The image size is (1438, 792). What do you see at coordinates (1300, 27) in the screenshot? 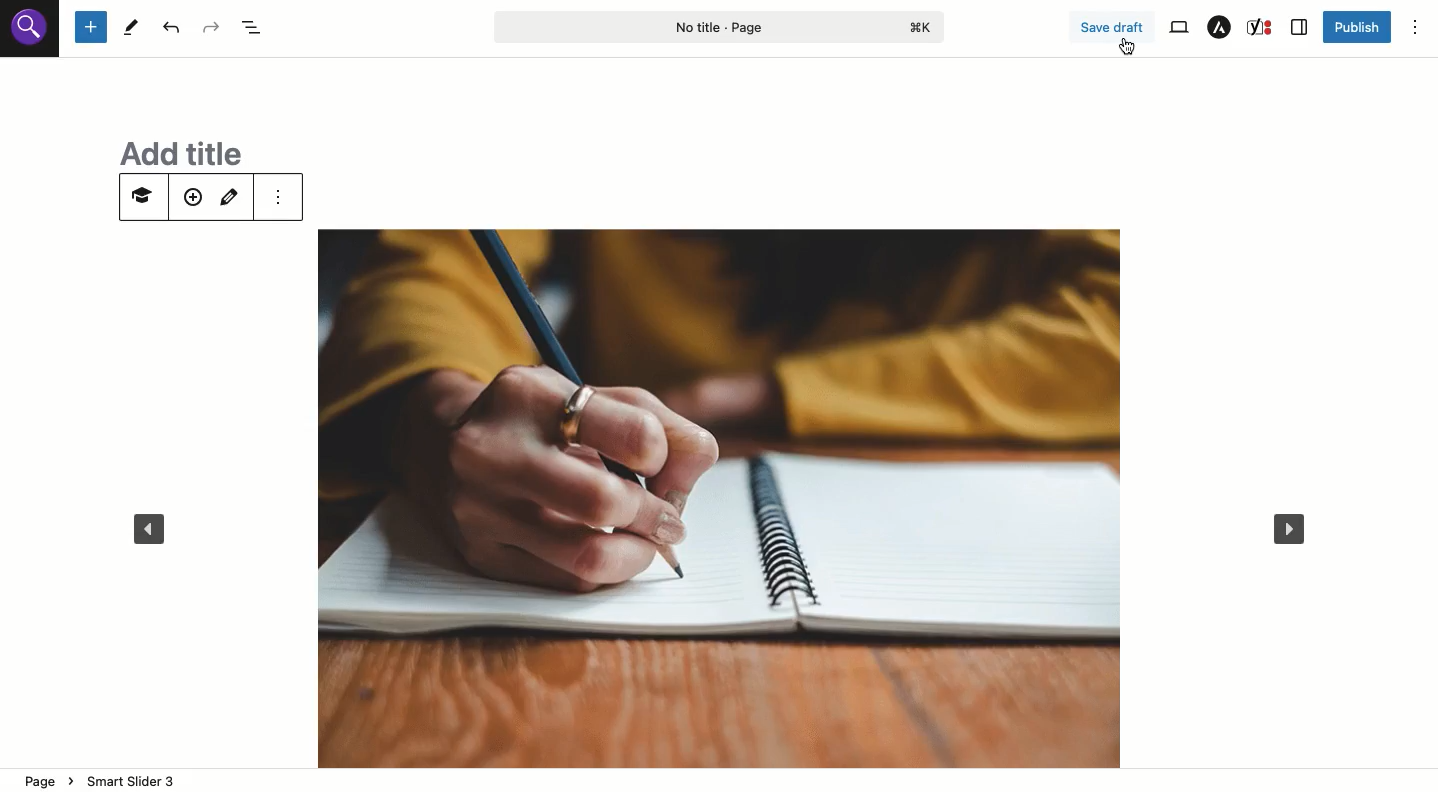
I see `Sidebar` at bounding box center [1300, 27].